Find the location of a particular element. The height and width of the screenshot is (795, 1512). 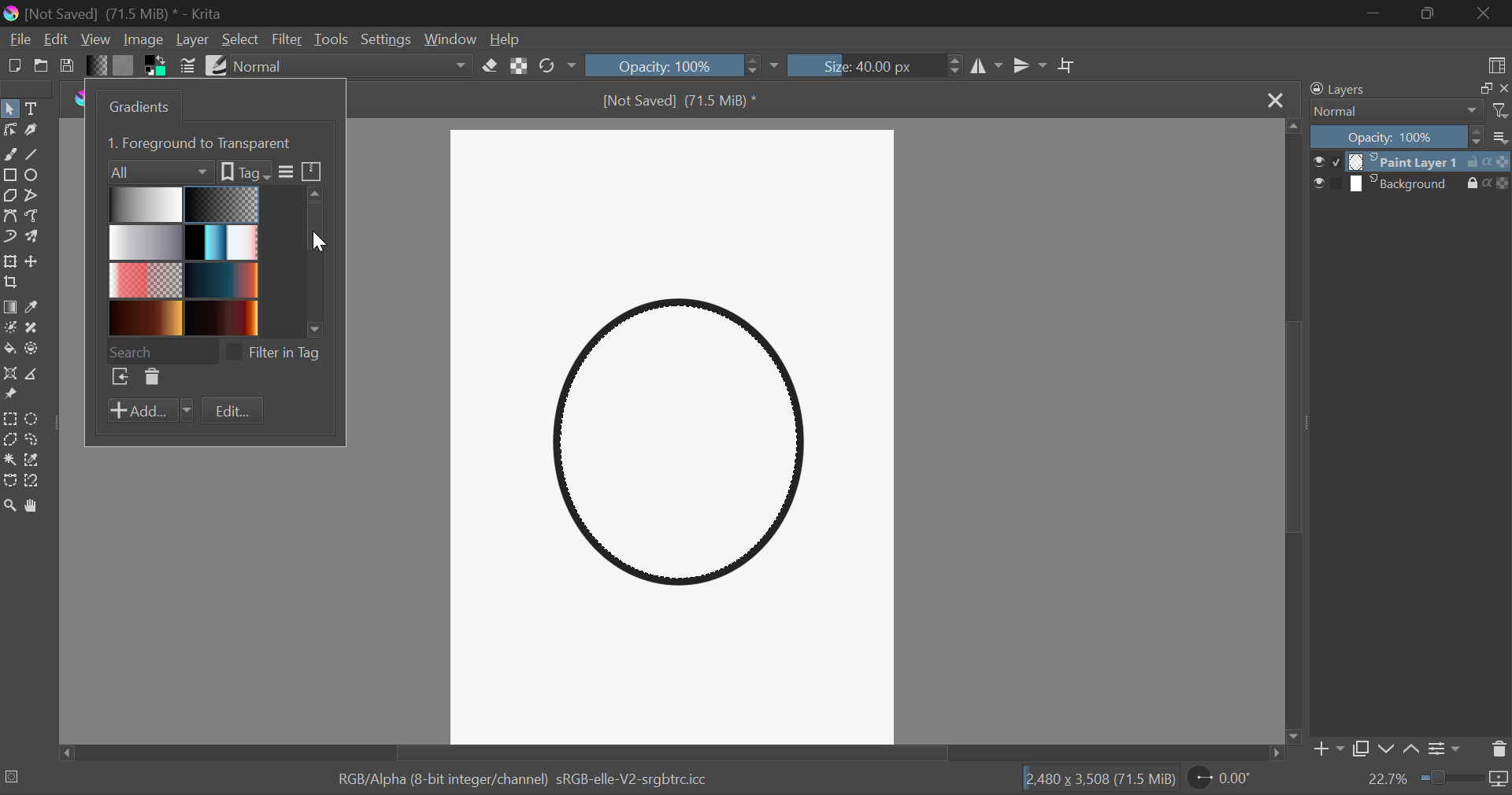

Crop is located at coordinates (1067, 66).